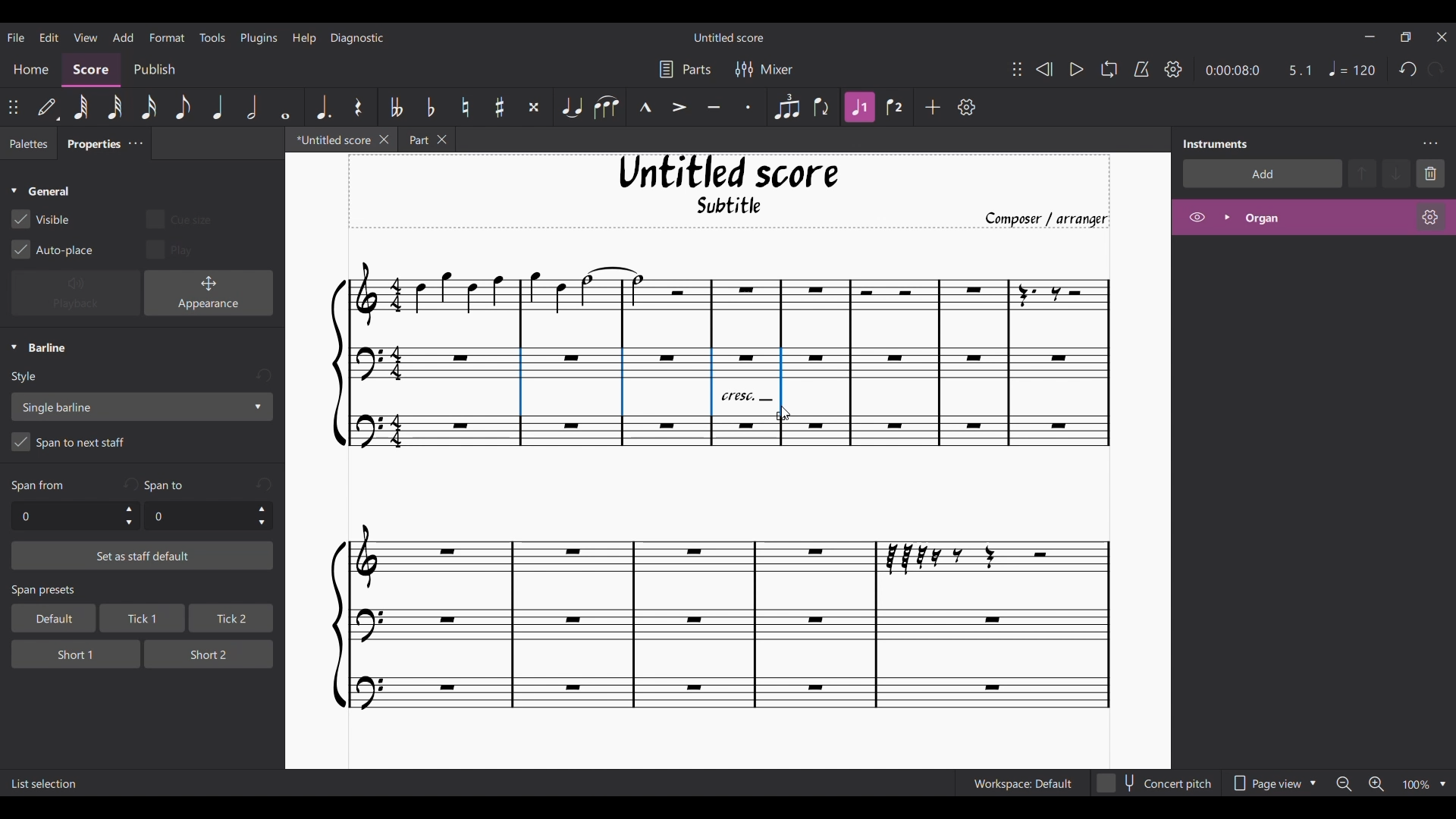 The image size is (1456, 819). Describe the element at coordinates (1197, 217) in the screenshot. I see `Hide Organ` at that location.